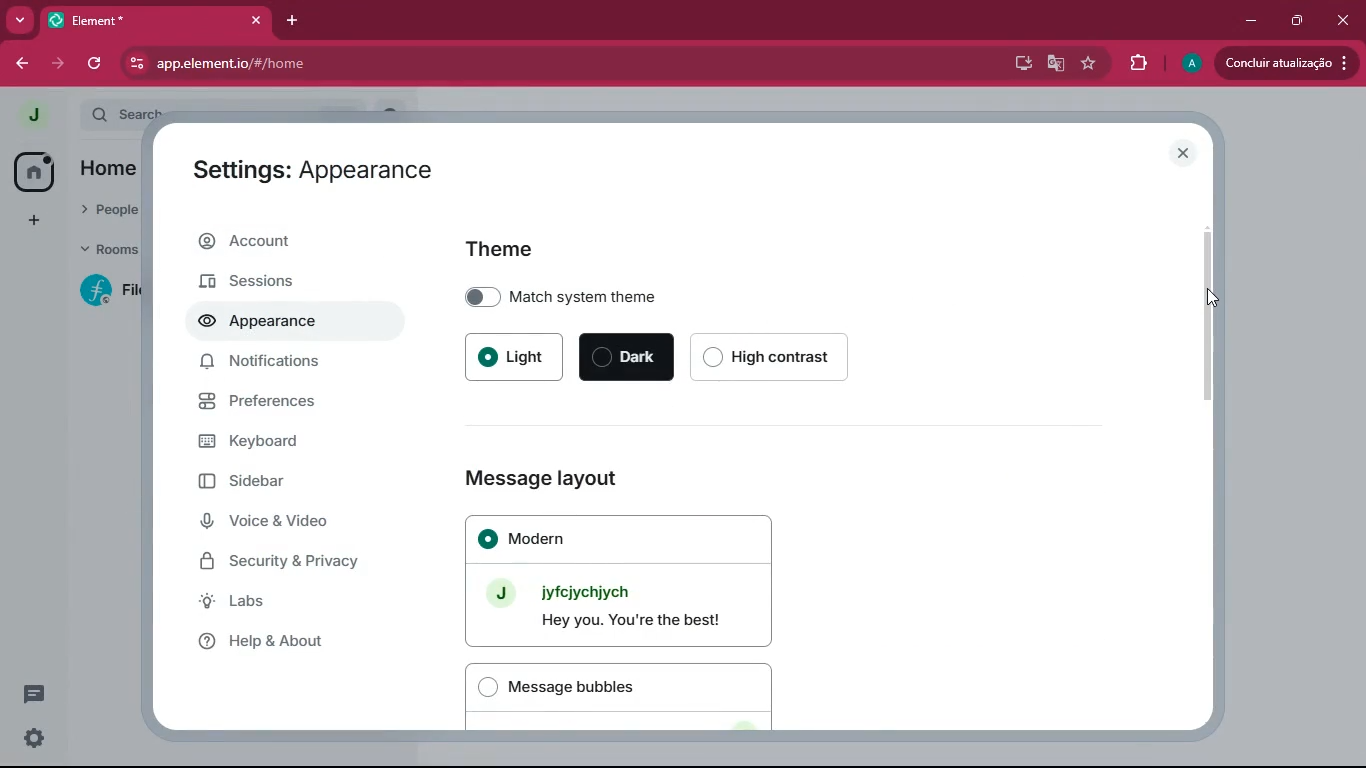 The image size is (1366, 768). I want to click on sidebar, so click(286, 486).